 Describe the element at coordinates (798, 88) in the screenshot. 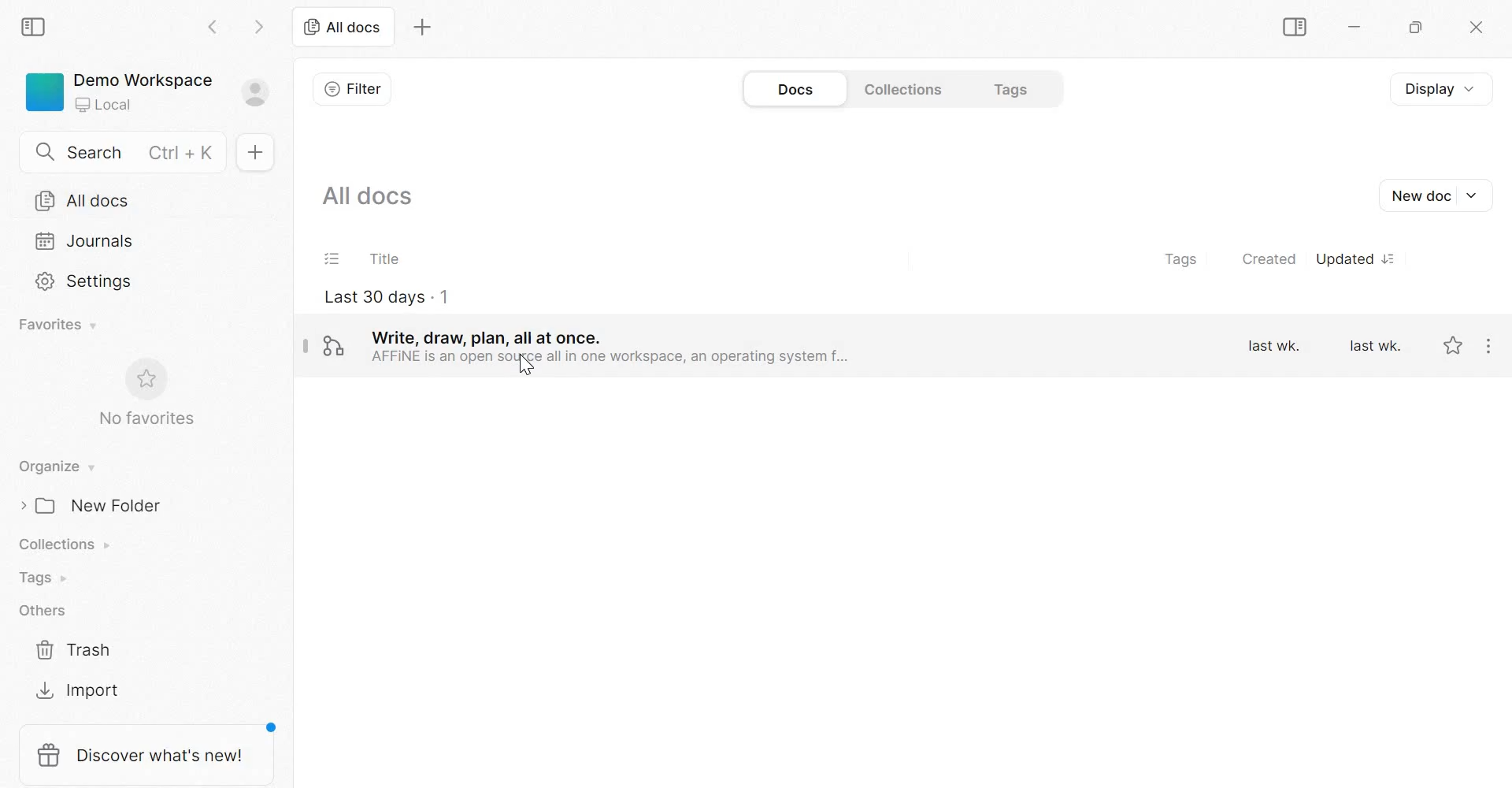

I see `Docs` at that location.